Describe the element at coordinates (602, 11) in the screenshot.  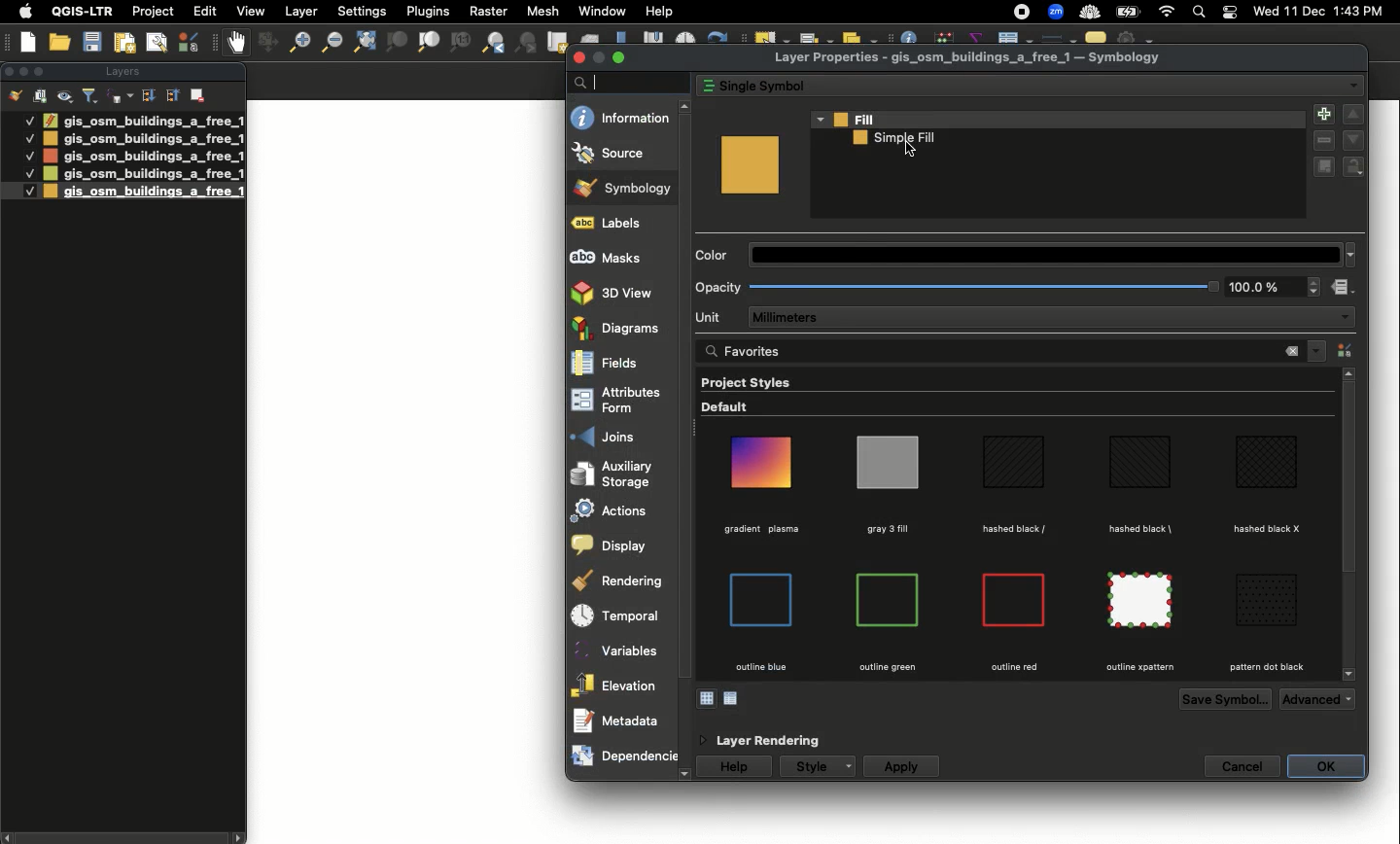
I see `Window` at that location.